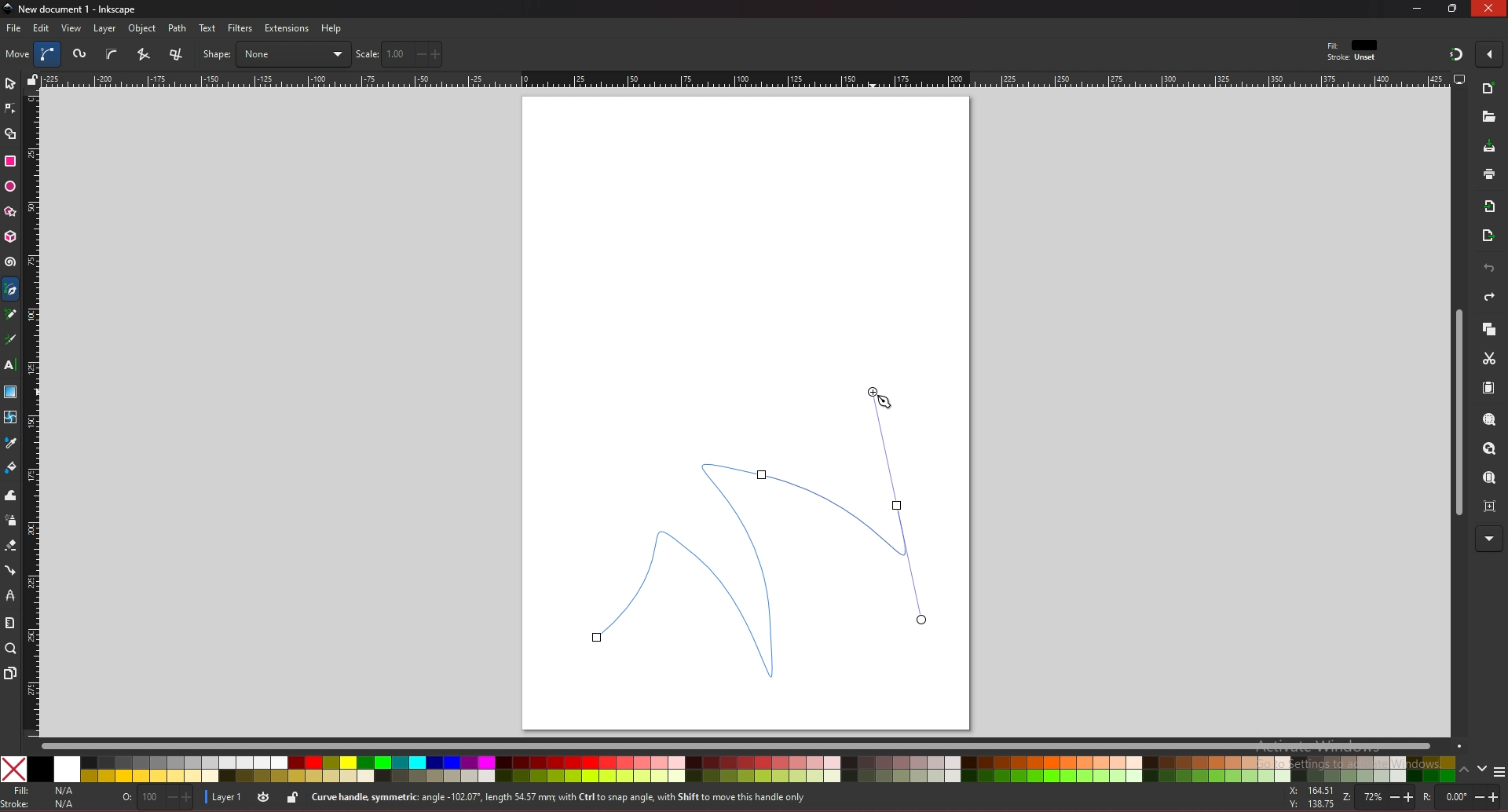  Describe the element at coordinates (13, 290) in the screenshot. I see `pen` at that location.